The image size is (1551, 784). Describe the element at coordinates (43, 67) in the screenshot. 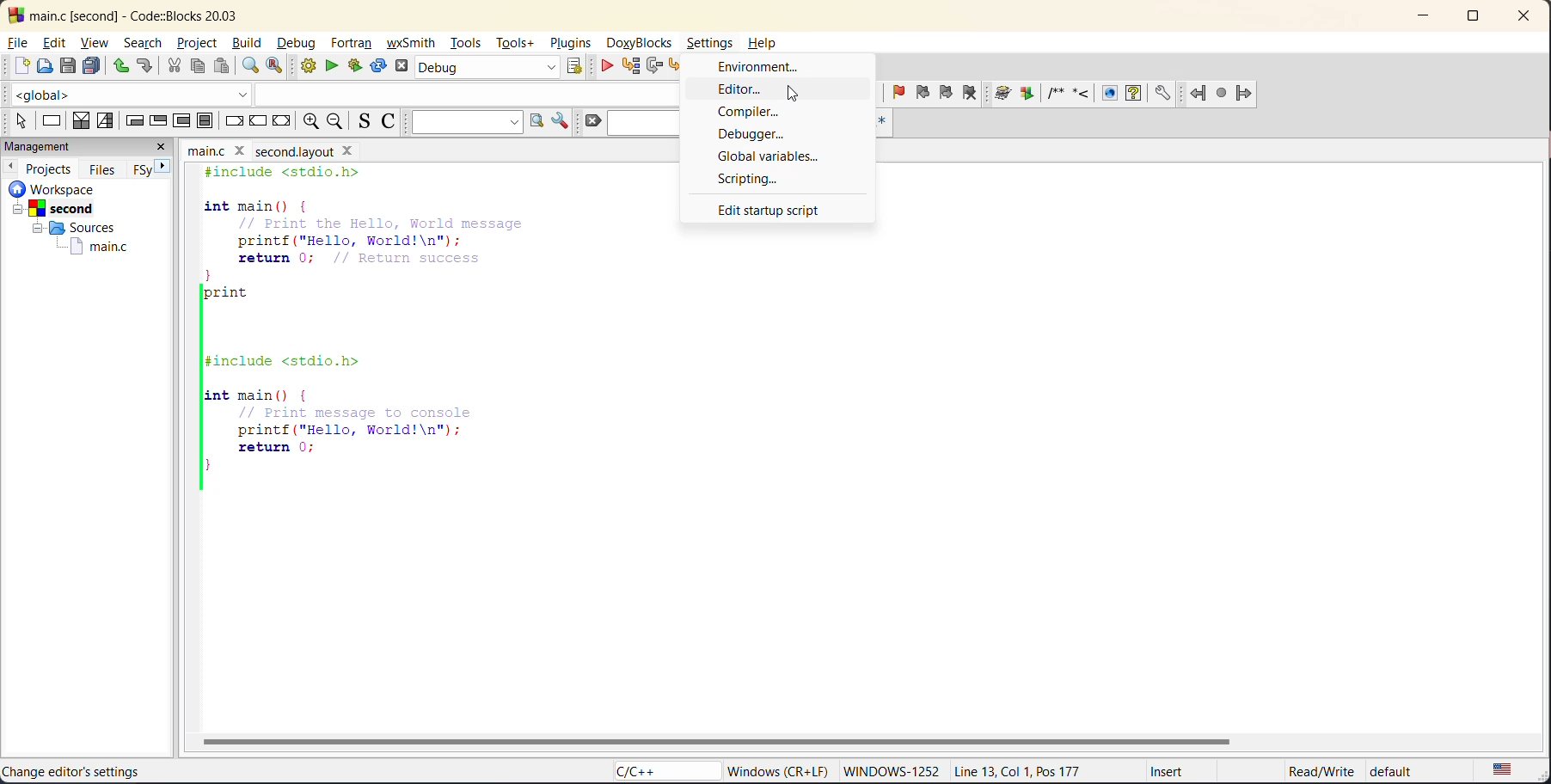

I see `open` at that location.